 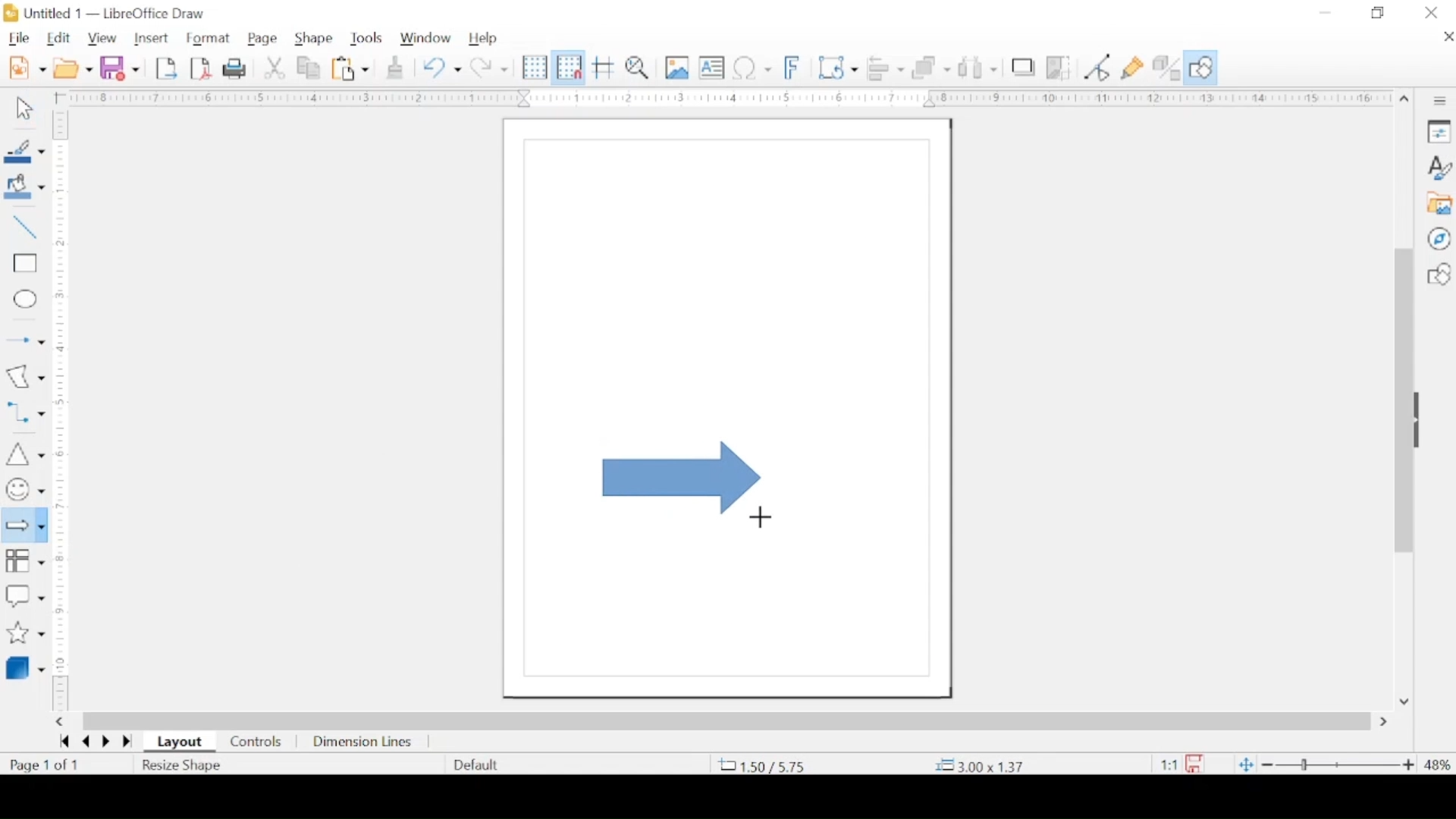 I want to click on insert image, so click(x=677, y=67).